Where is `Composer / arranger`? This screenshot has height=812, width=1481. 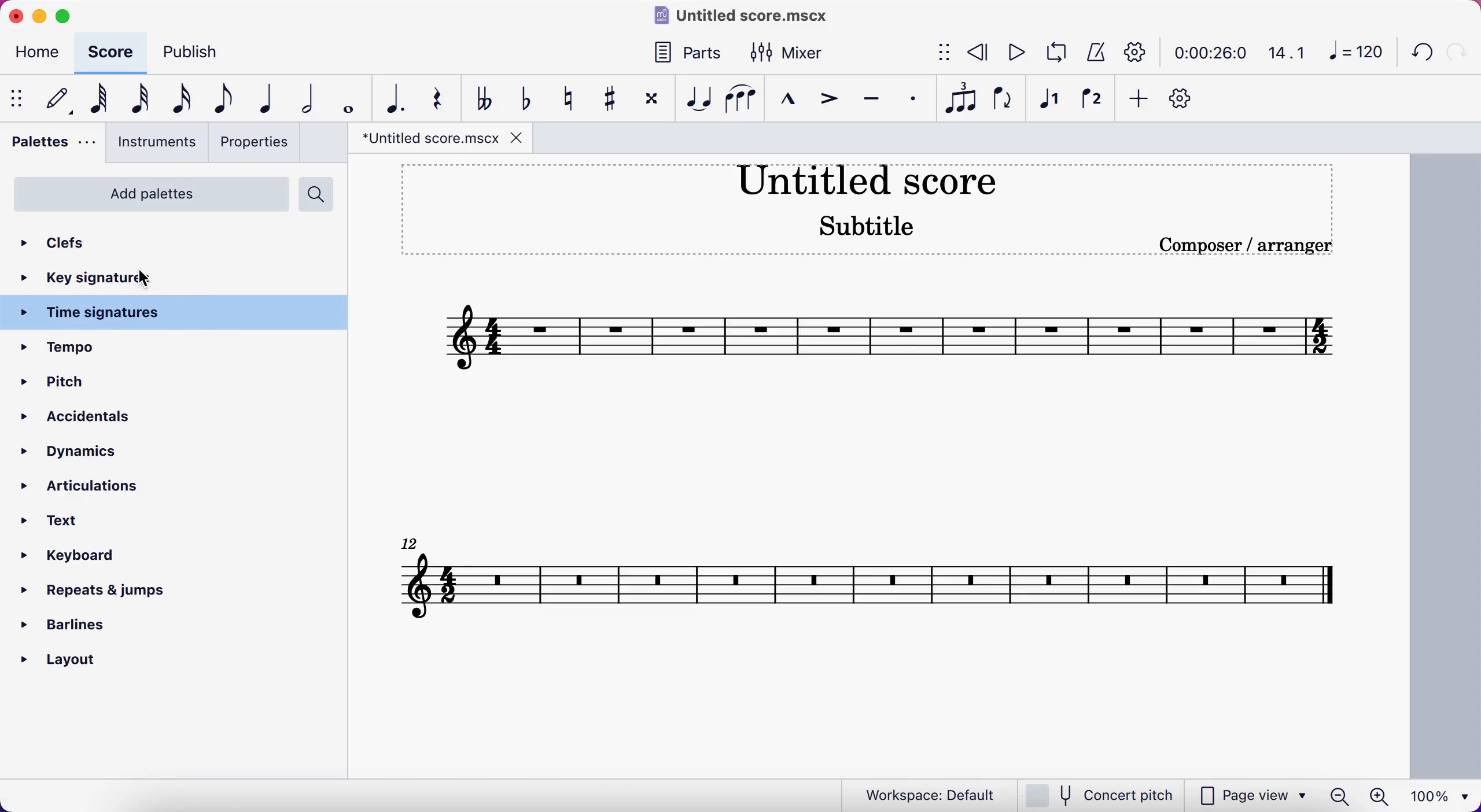
Composer / arranger is located at coordinates (1246, 245).